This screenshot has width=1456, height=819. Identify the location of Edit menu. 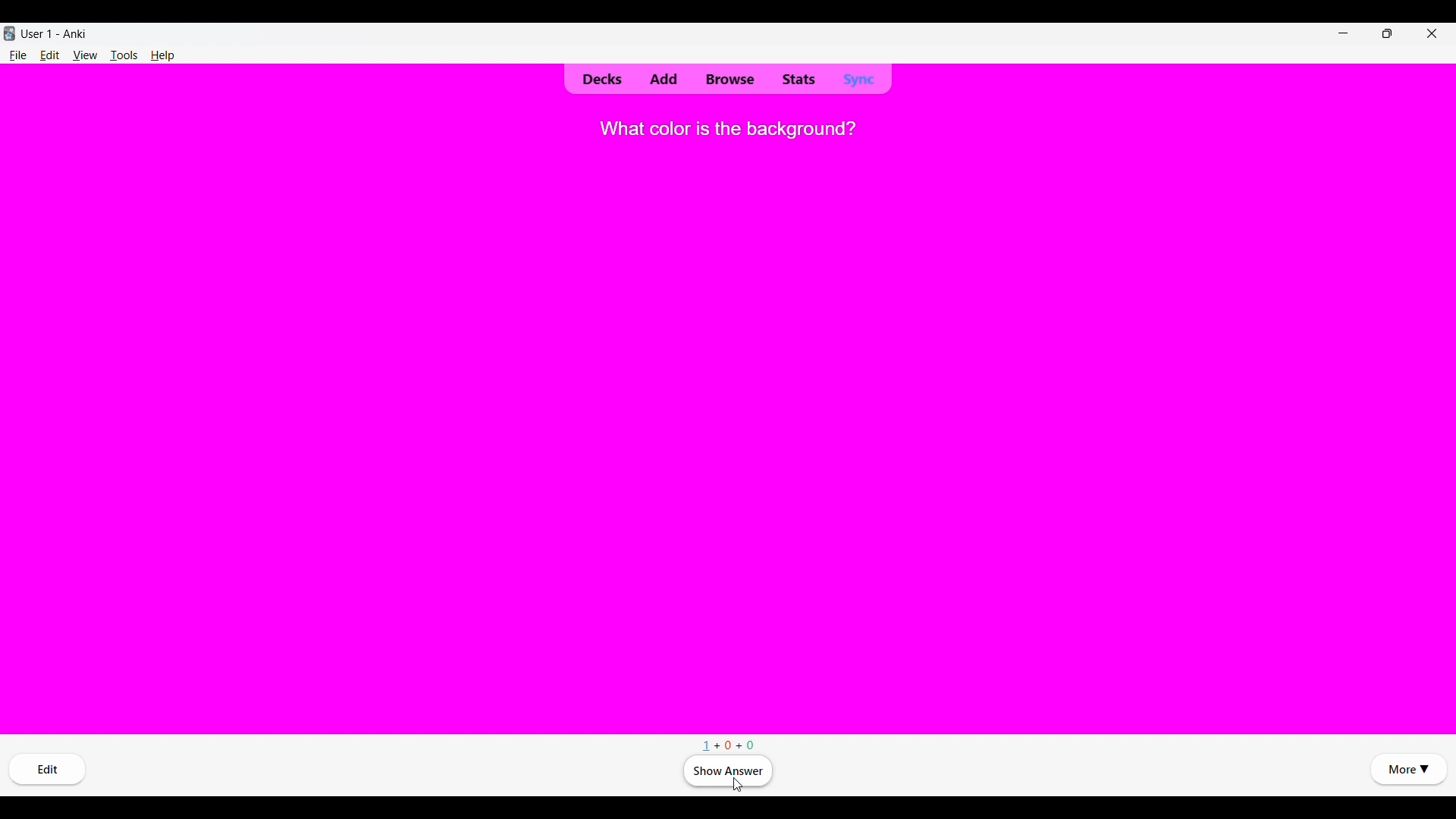
(50, 55).